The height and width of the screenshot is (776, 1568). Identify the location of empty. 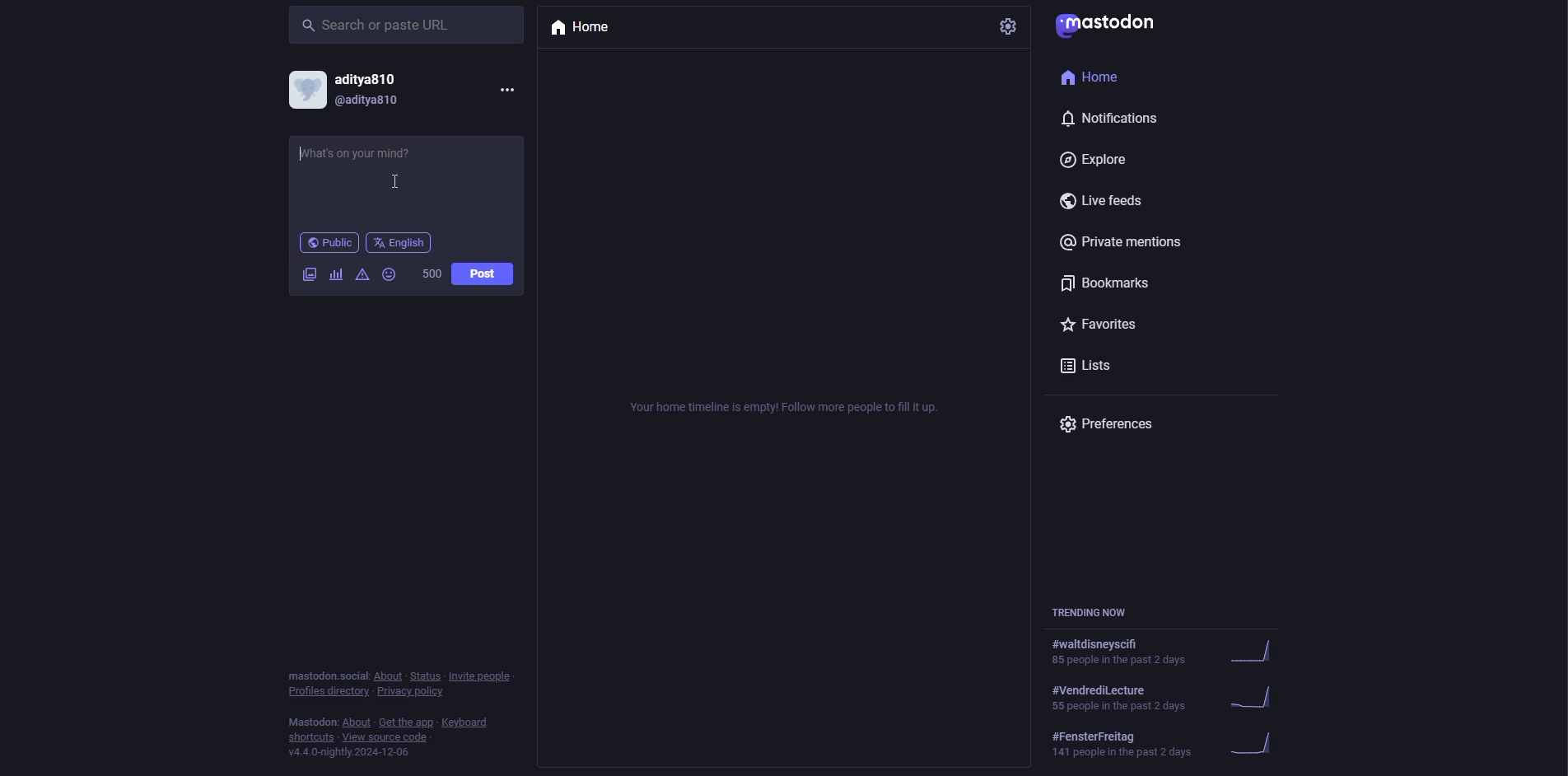
(786, 404).